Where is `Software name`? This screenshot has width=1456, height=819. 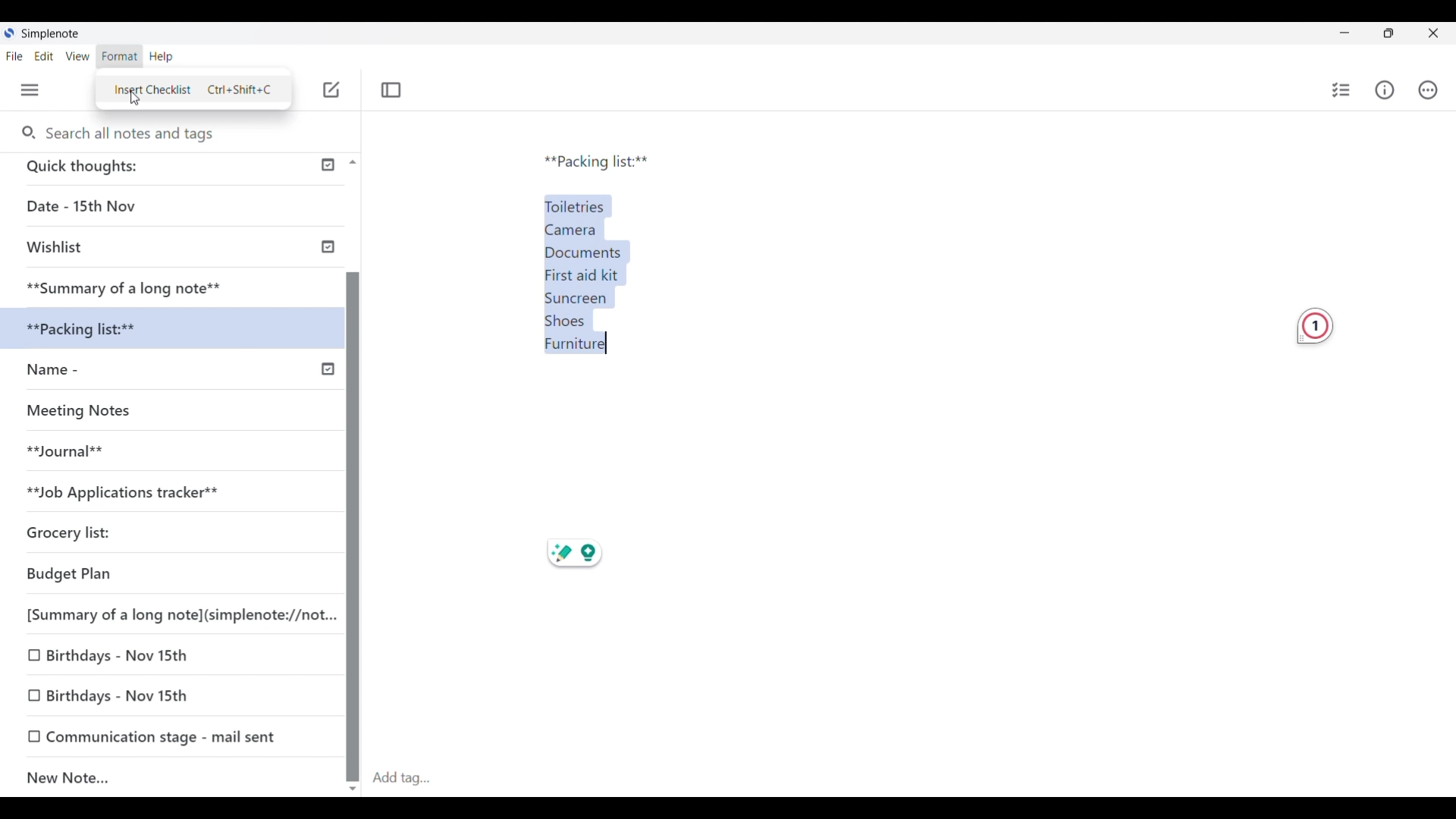
Software name is located at coordinates (52, 34).